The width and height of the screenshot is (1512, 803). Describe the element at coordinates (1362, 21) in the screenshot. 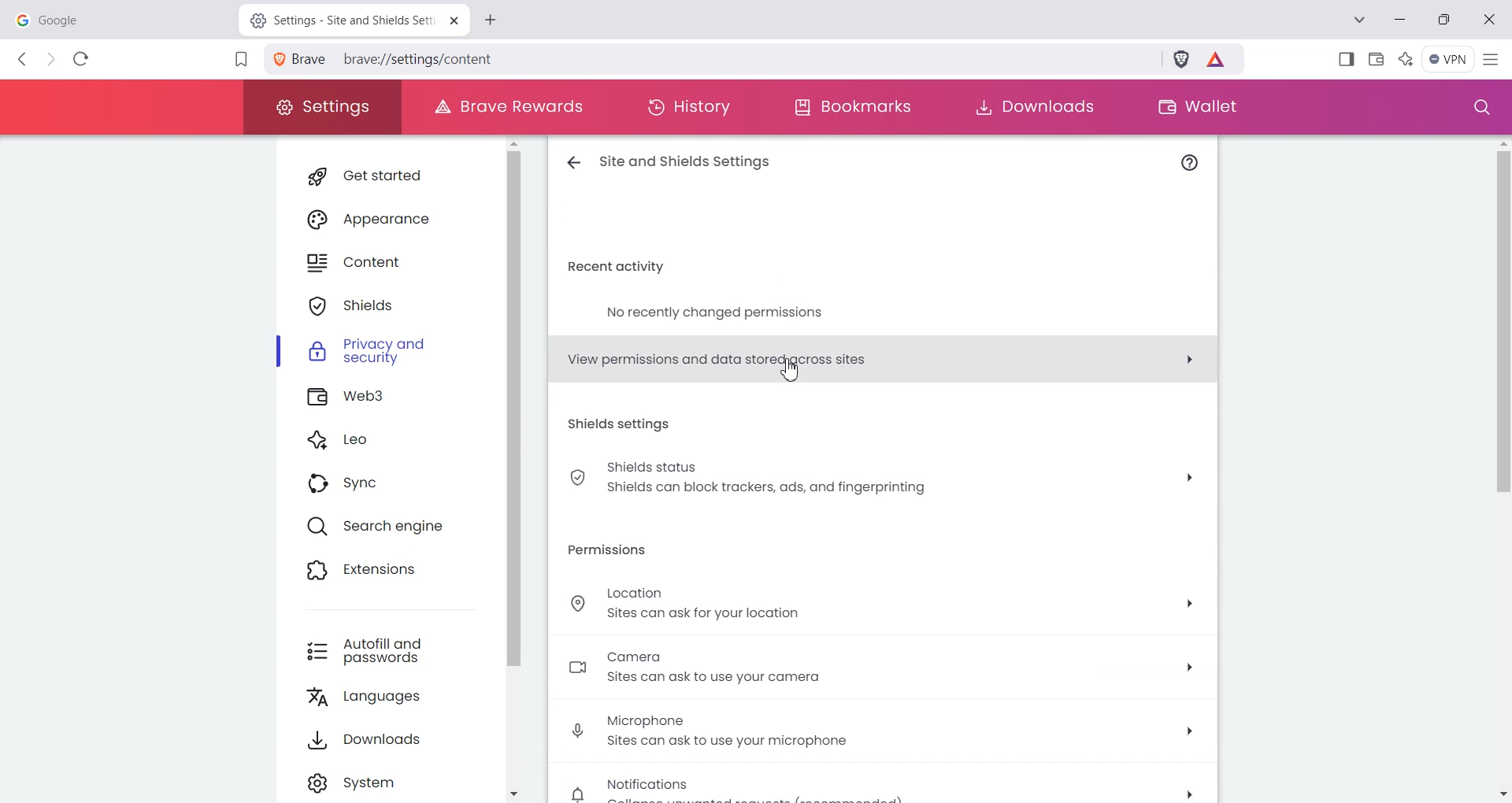

I see `Search tab` at that location.